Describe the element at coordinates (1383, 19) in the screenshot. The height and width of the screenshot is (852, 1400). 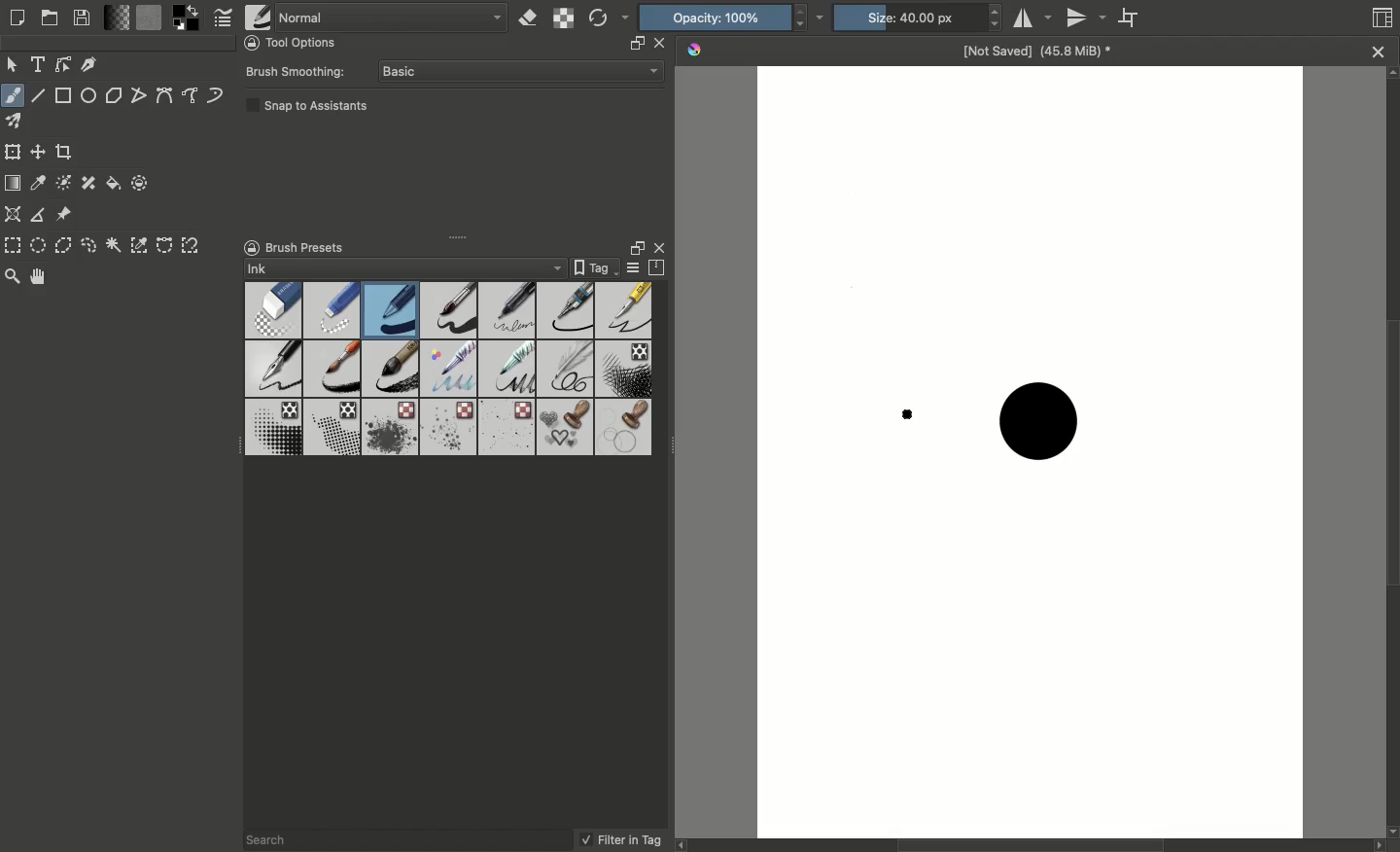
I see `Thumbnail` at that location.